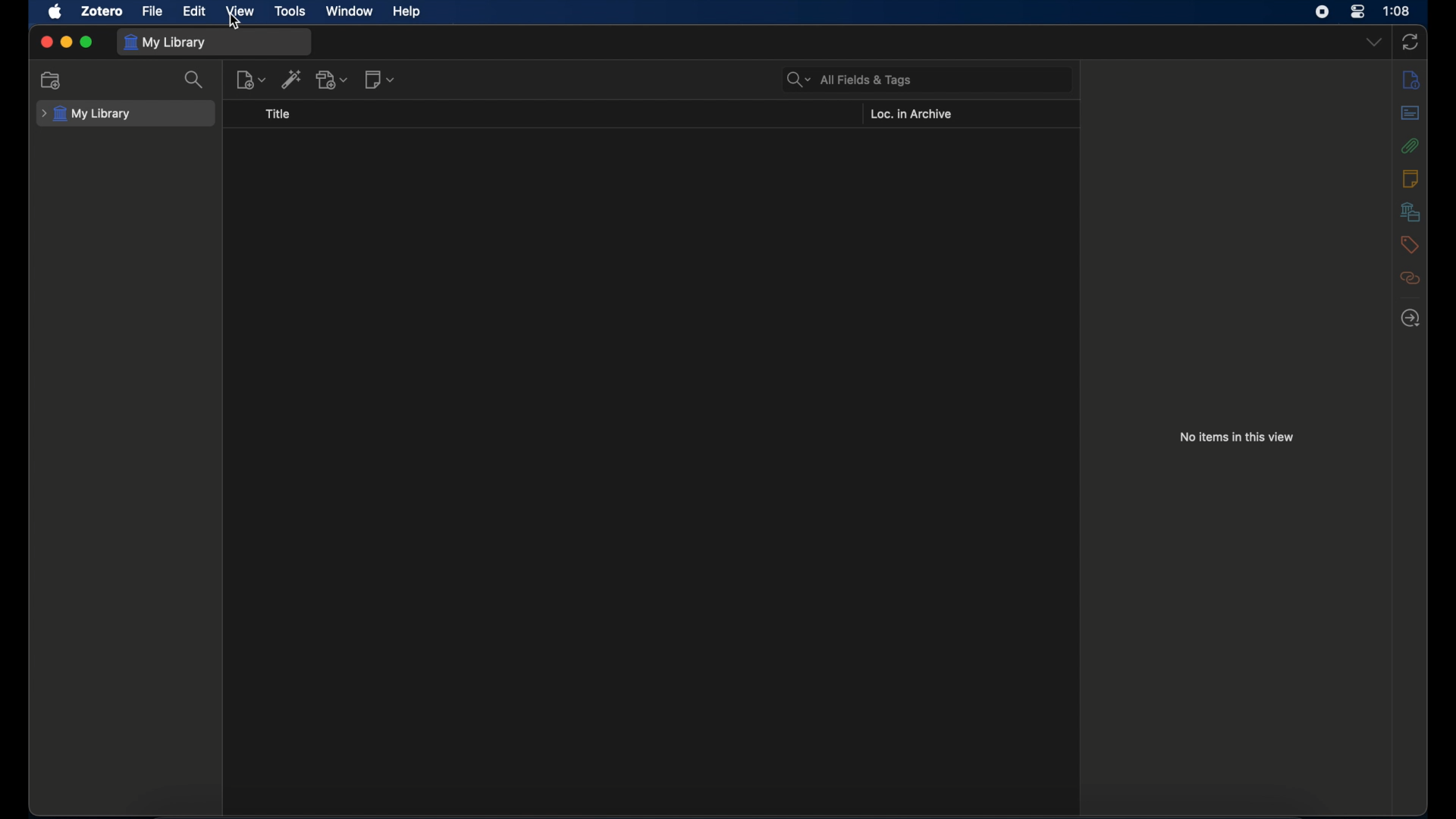 The width and height of the screenshot is (1456, 819). What do you see at coordinates (86, 115) in the screenshot?
I see `my library` at bounding box center [86, 115].